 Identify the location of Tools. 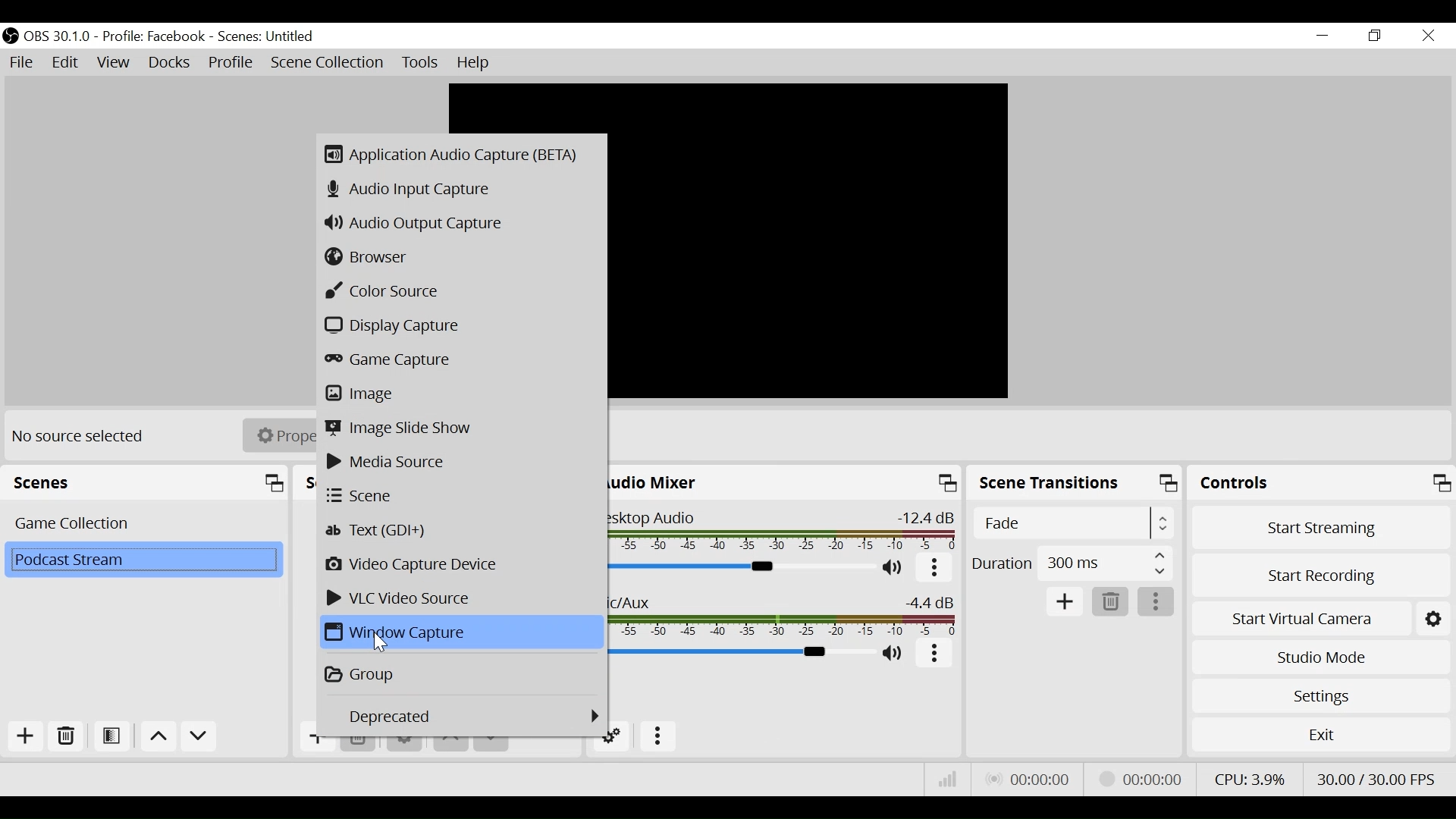
(422, 63).